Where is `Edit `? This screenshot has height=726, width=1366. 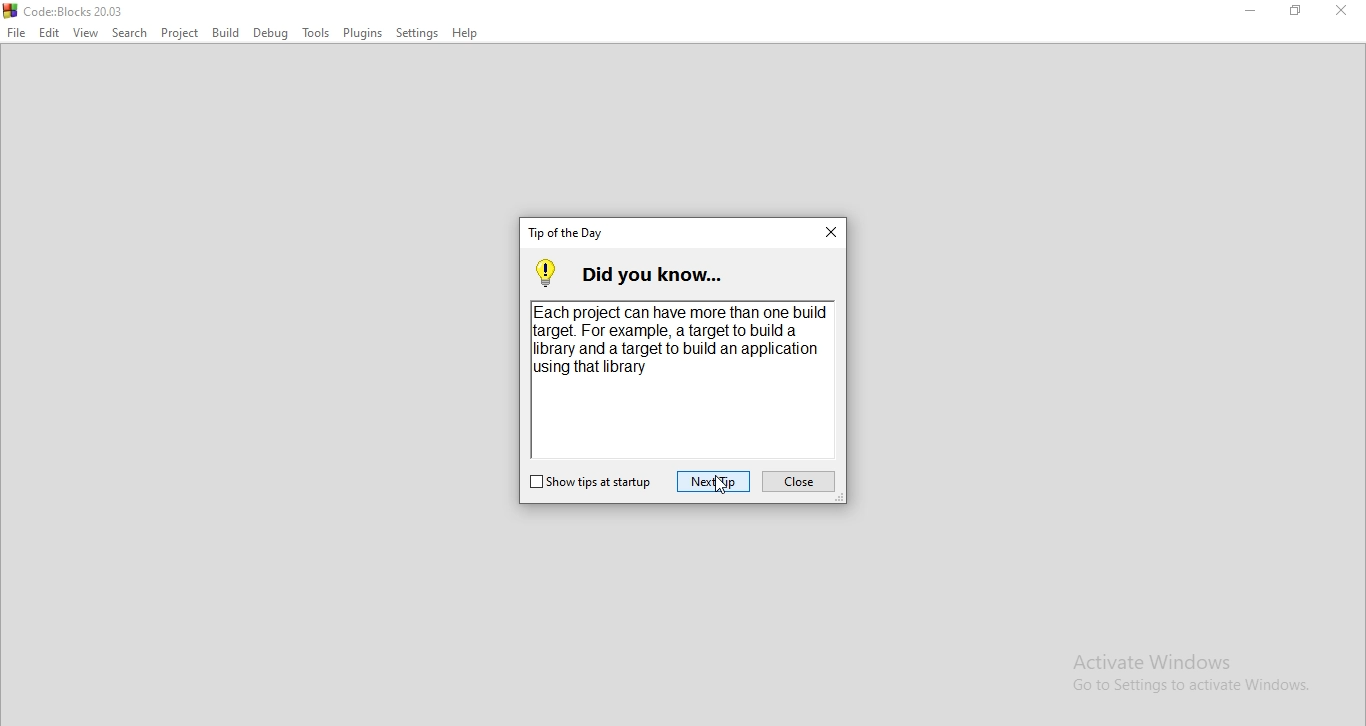
Edit  is located at coordinates (46, 33).